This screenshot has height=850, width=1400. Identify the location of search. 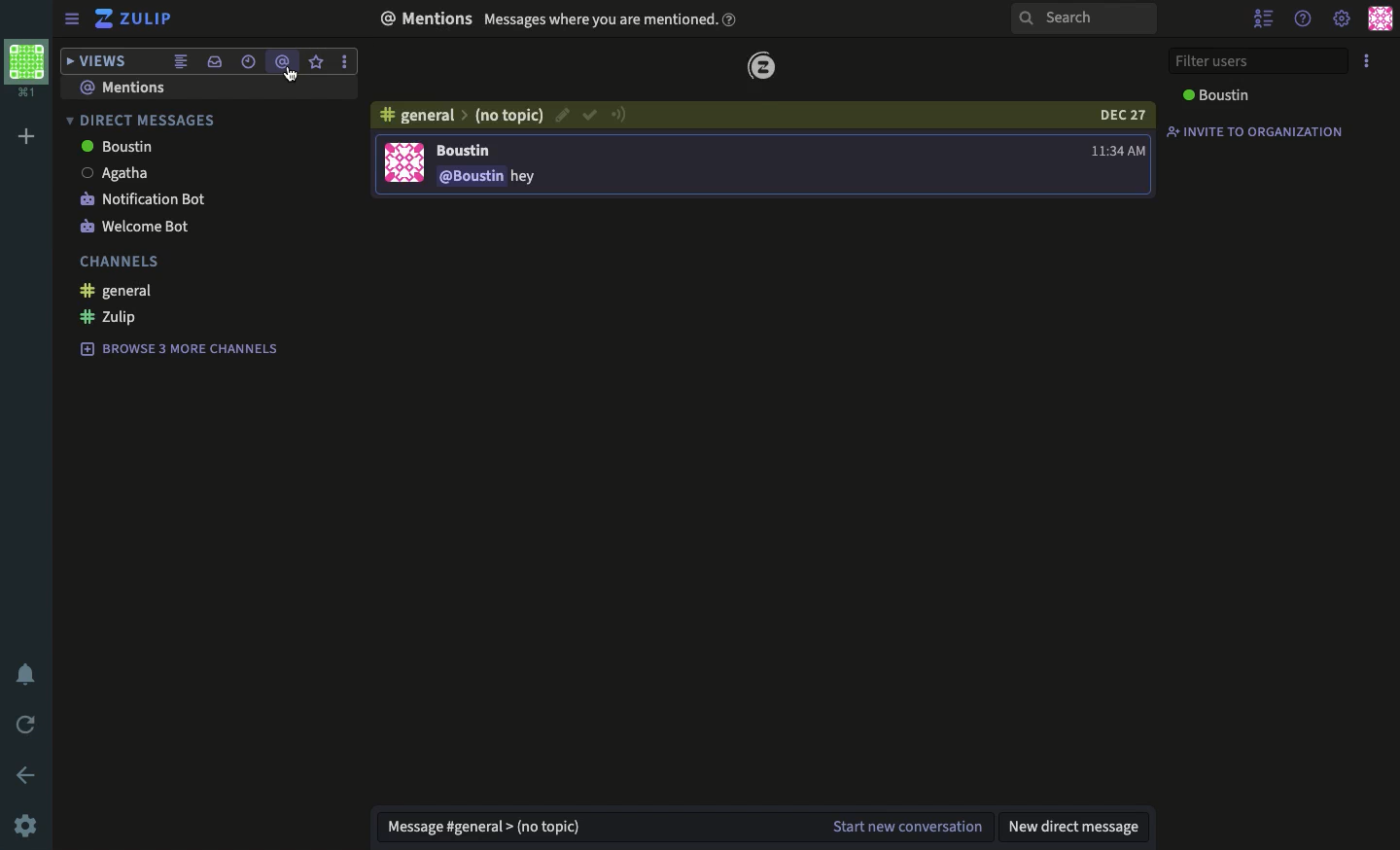
(1088, 20).